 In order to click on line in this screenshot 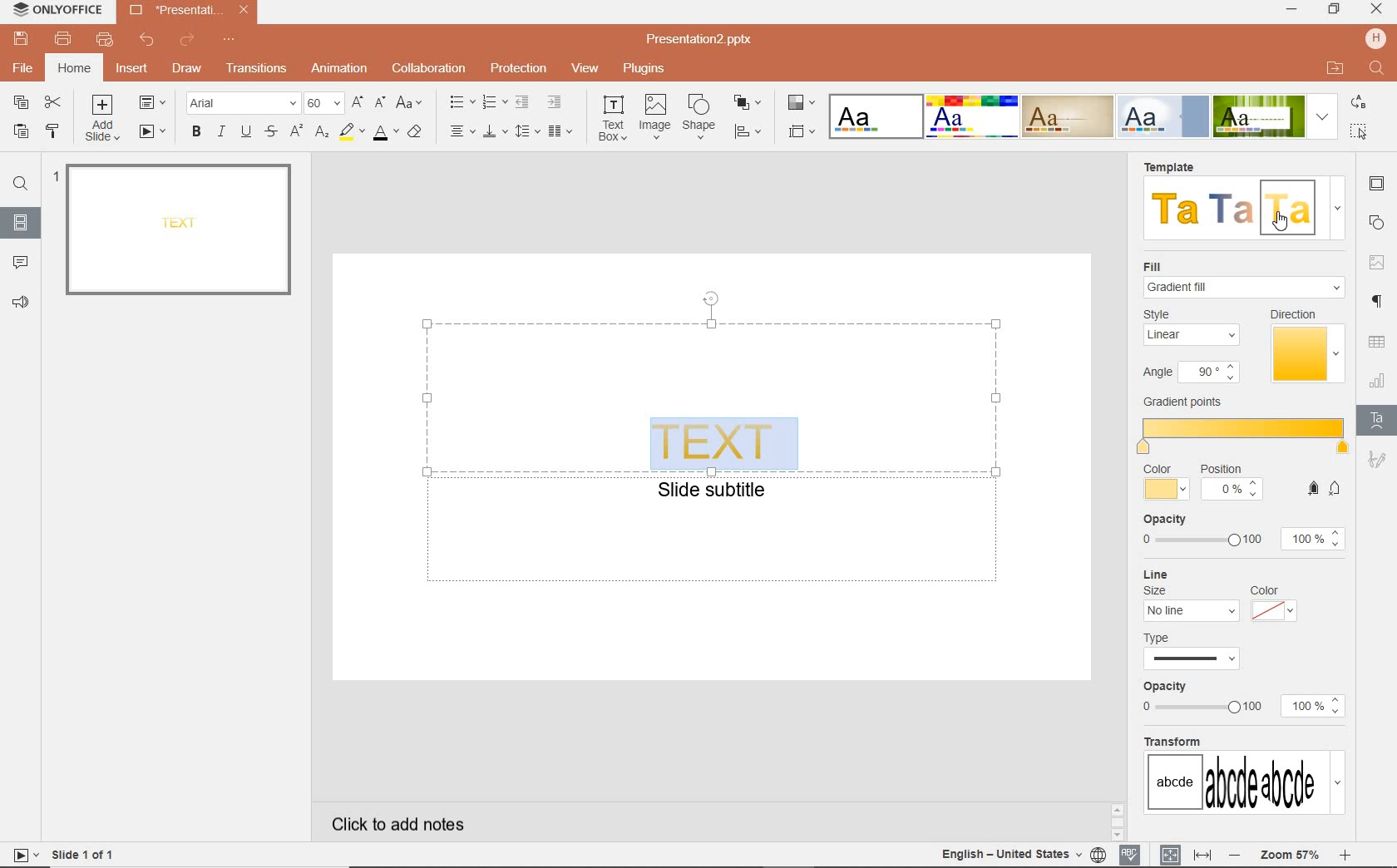, I will do `click(1160, 572)`.